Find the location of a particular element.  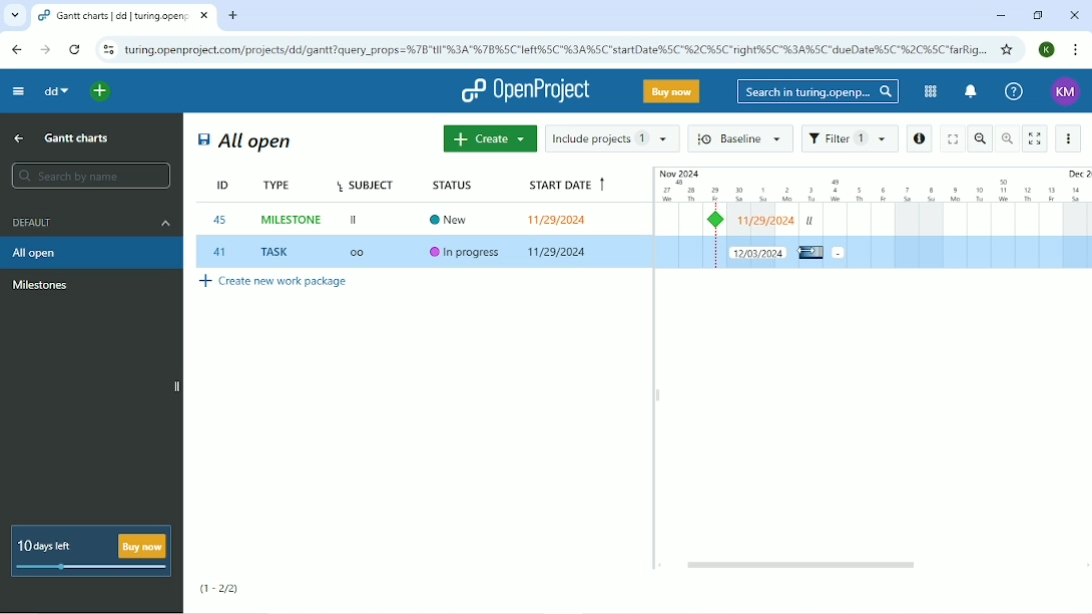

Baseline is located at coordinates (741, 138).